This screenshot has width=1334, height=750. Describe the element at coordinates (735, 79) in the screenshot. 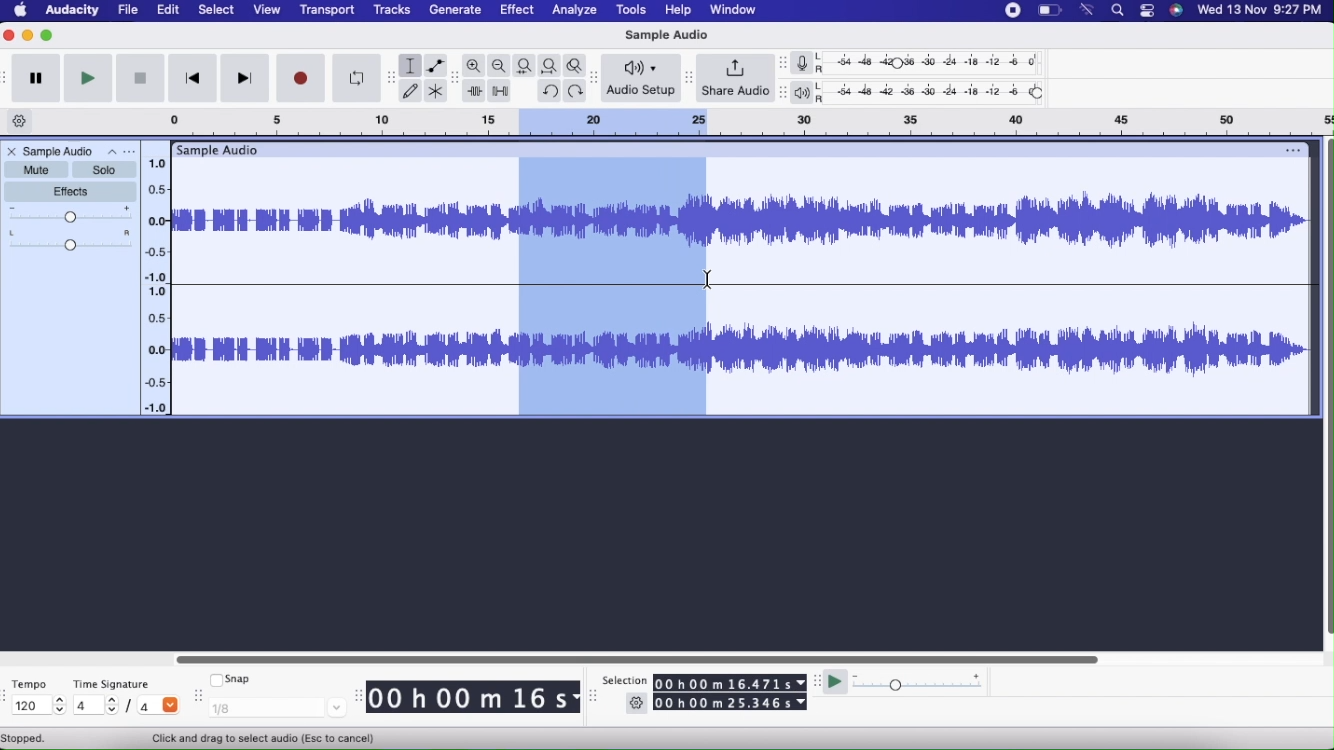

I see `Share Audio` at that location.